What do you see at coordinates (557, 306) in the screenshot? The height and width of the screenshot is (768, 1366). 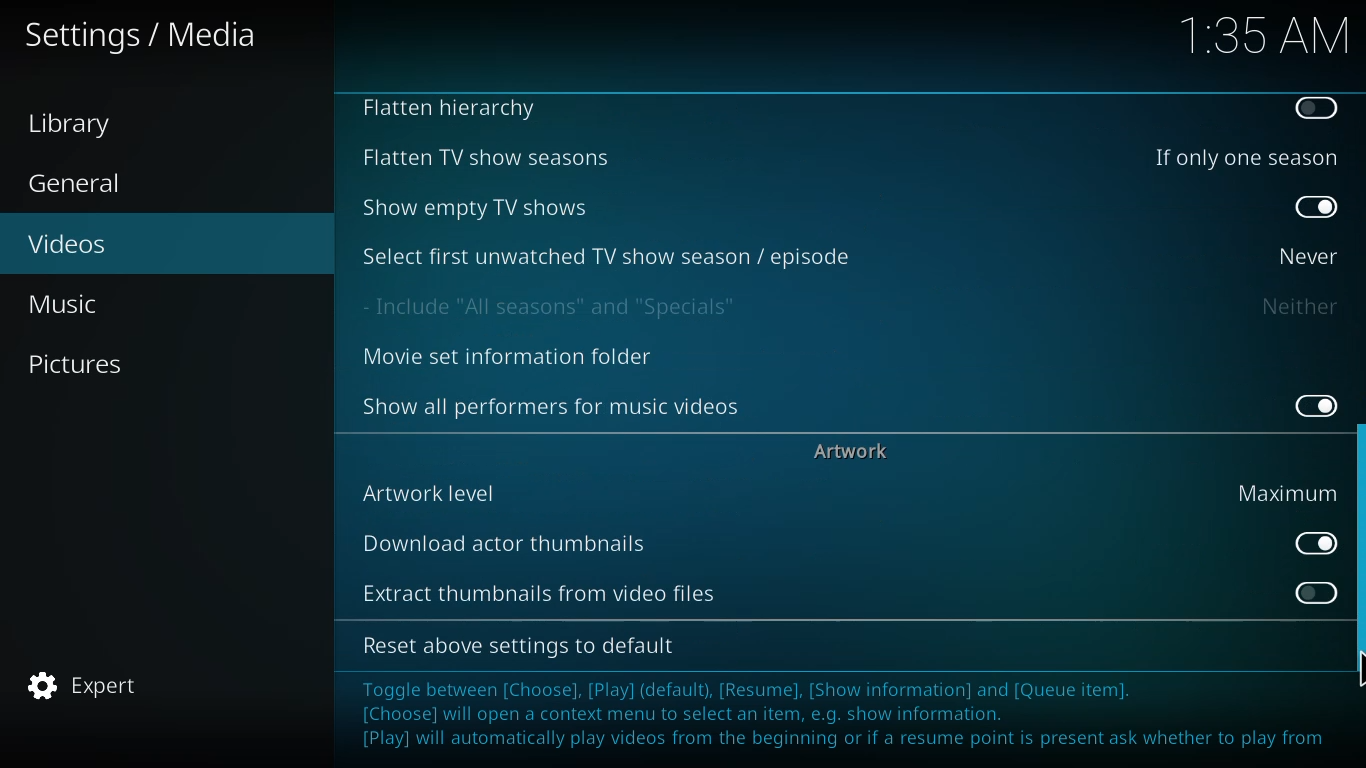 I see `include all` at bounding box center [557, 306].